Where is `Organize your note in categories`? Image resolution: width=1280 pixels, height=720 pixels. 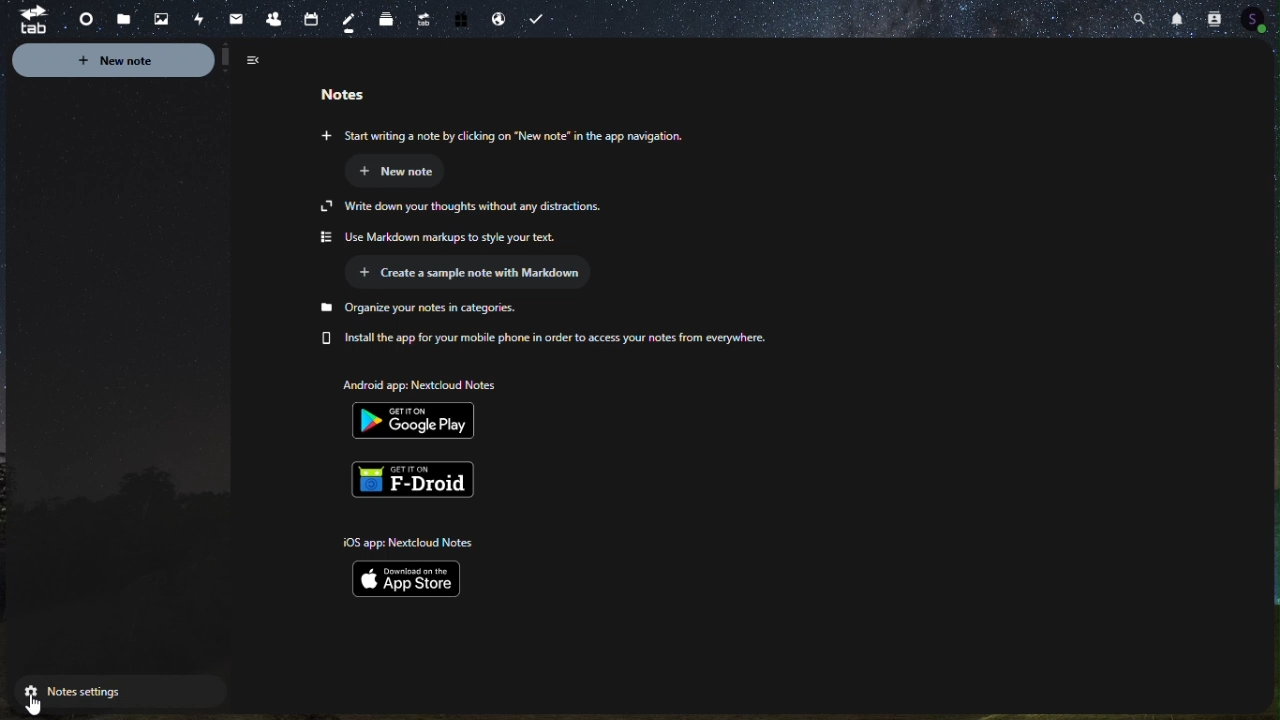
Organize your note in categories is located at coordinates (425, 305).